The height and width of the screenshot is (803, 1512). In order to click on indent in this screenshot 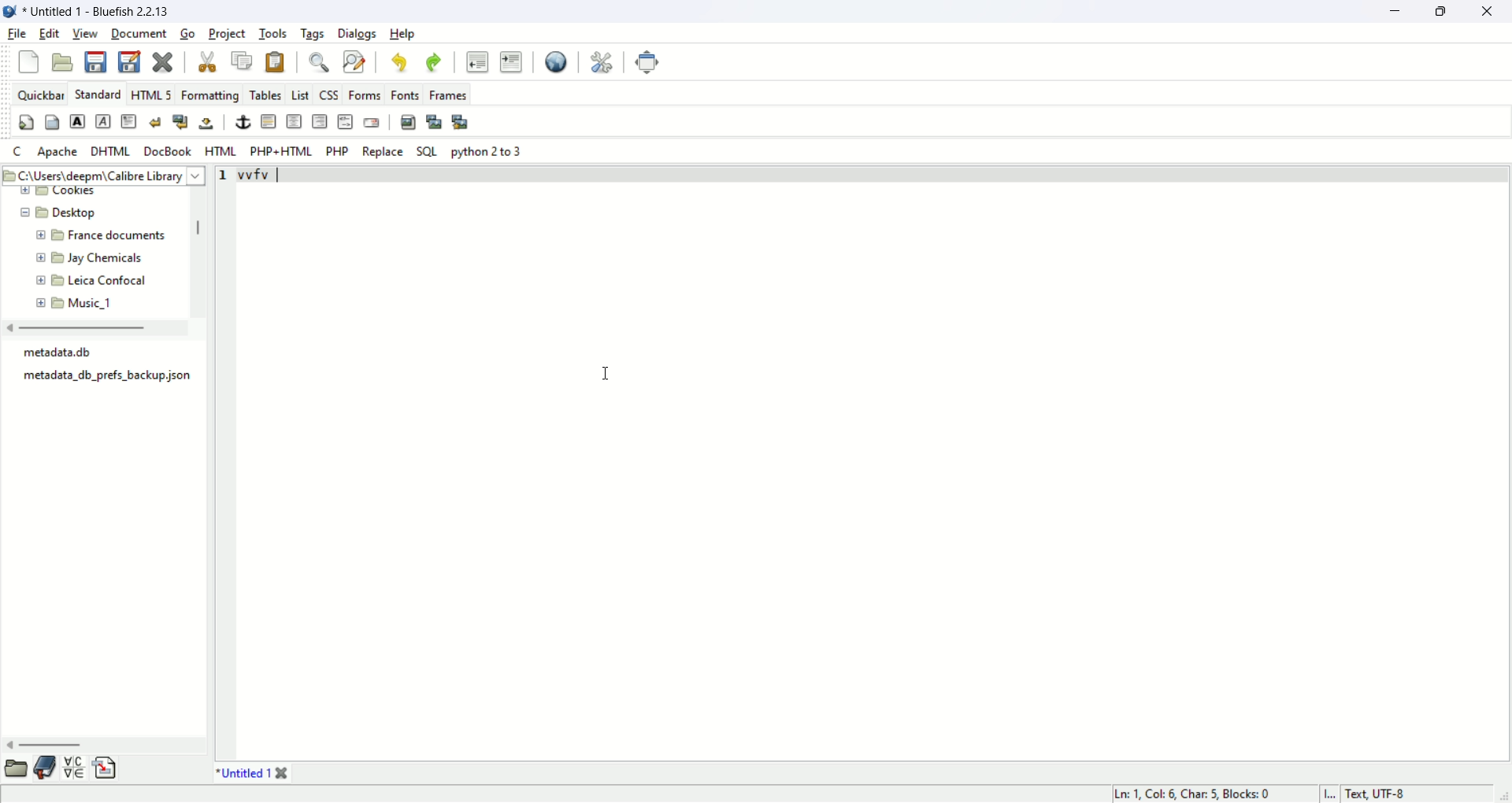, I will do `click(510, 63)`.